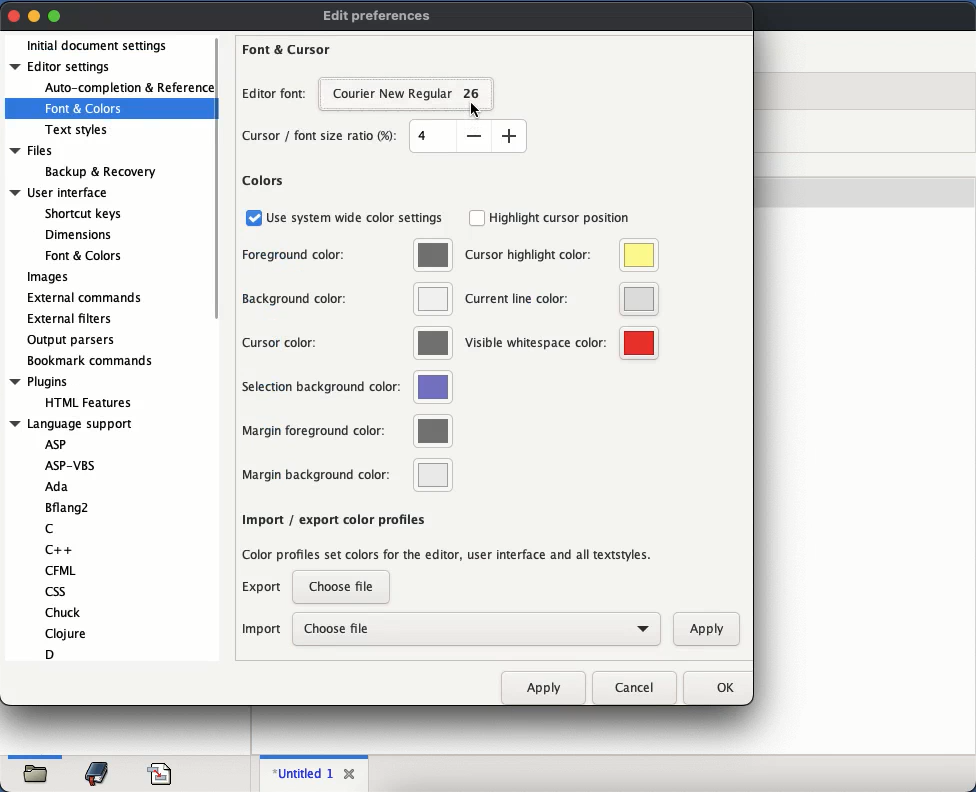 The image size is (976, 792). What do you see at coordinates (561, 218) in the screenshot?
I see `highlight cursor position` at bounding box center [561, 218].